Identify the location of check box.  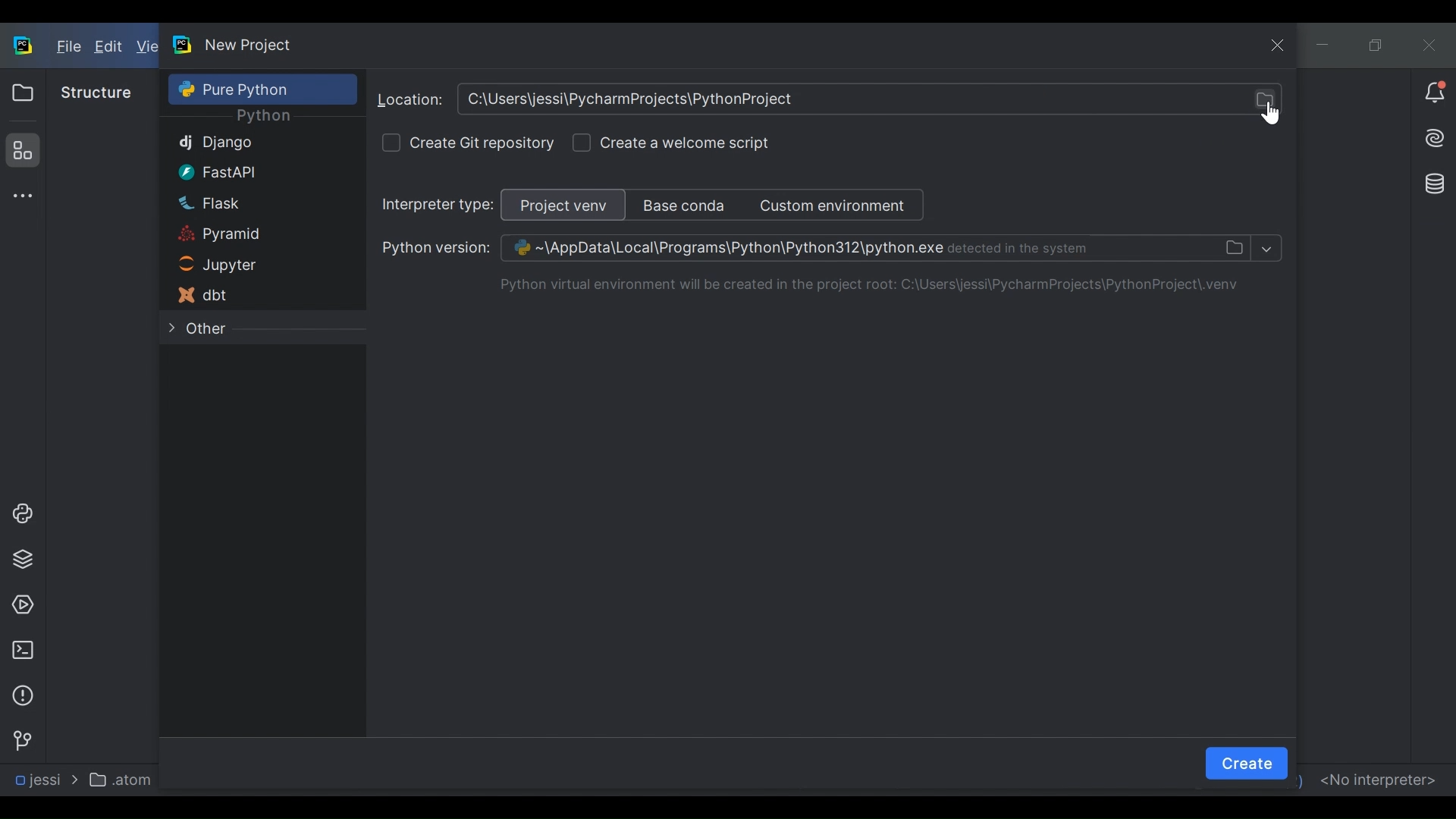
(581, 143).